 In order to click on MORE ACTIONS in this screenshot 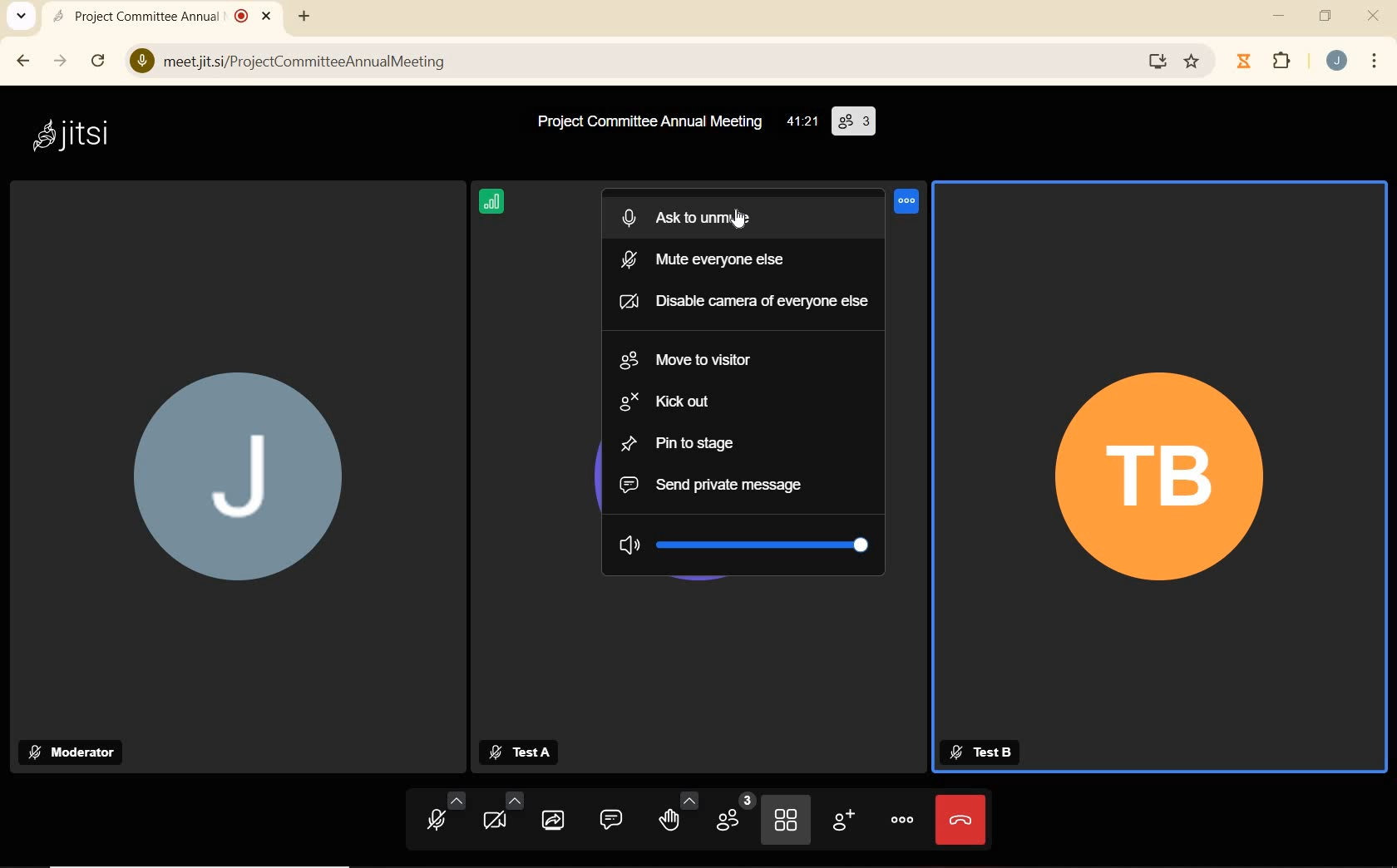, I will do `click(899, 818)`.